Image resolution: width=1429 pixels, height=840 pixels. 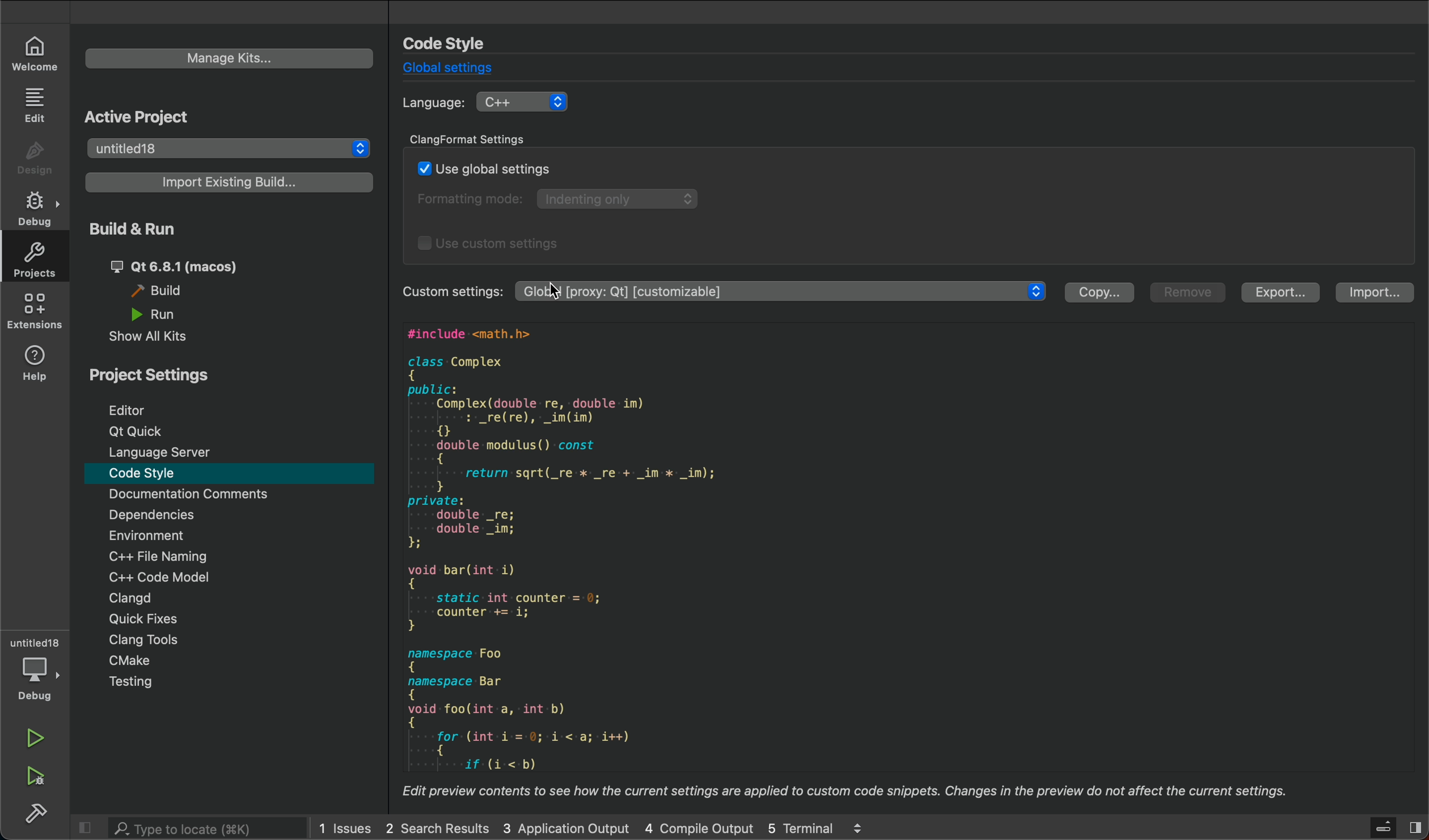 What do you see at coordinates (1379, 292) in the screenshot?
I see `import` at bounding box center [1379, 292].